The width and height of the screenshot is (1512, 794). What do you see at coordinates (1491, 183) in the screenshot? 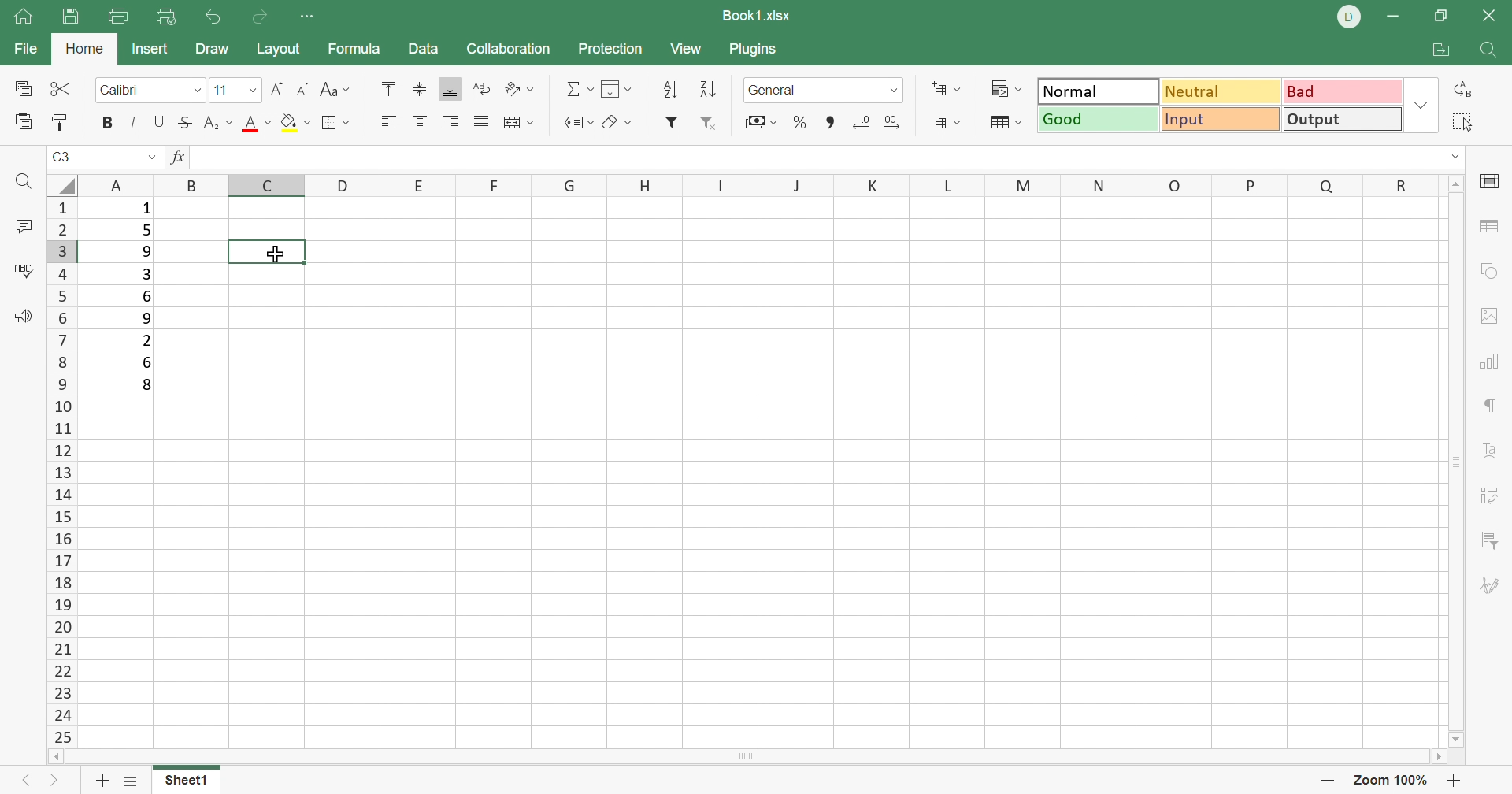
I see `cell settings` at bounding box center [1491, 183].